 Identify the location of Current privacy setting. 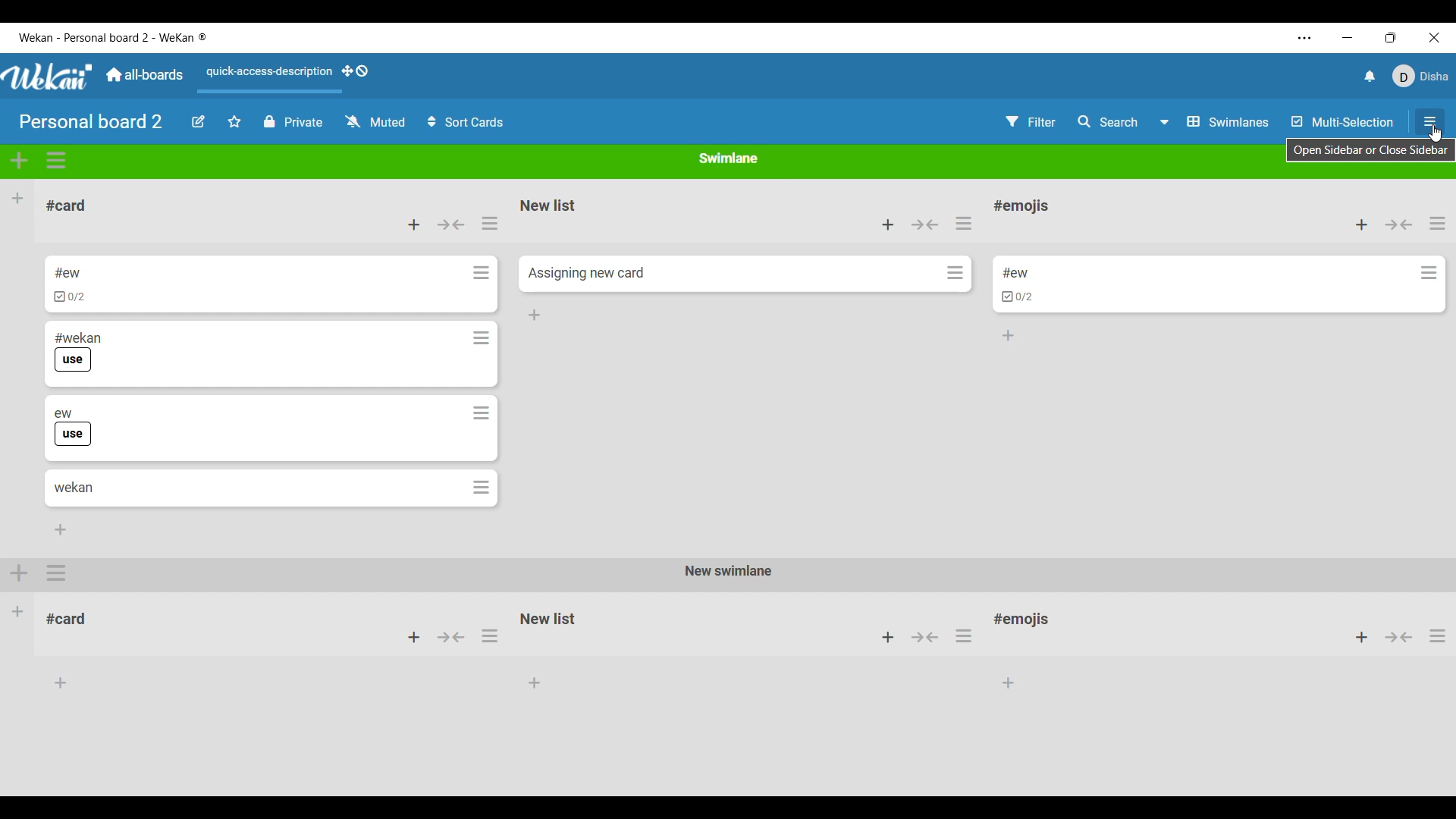
(293, 122).